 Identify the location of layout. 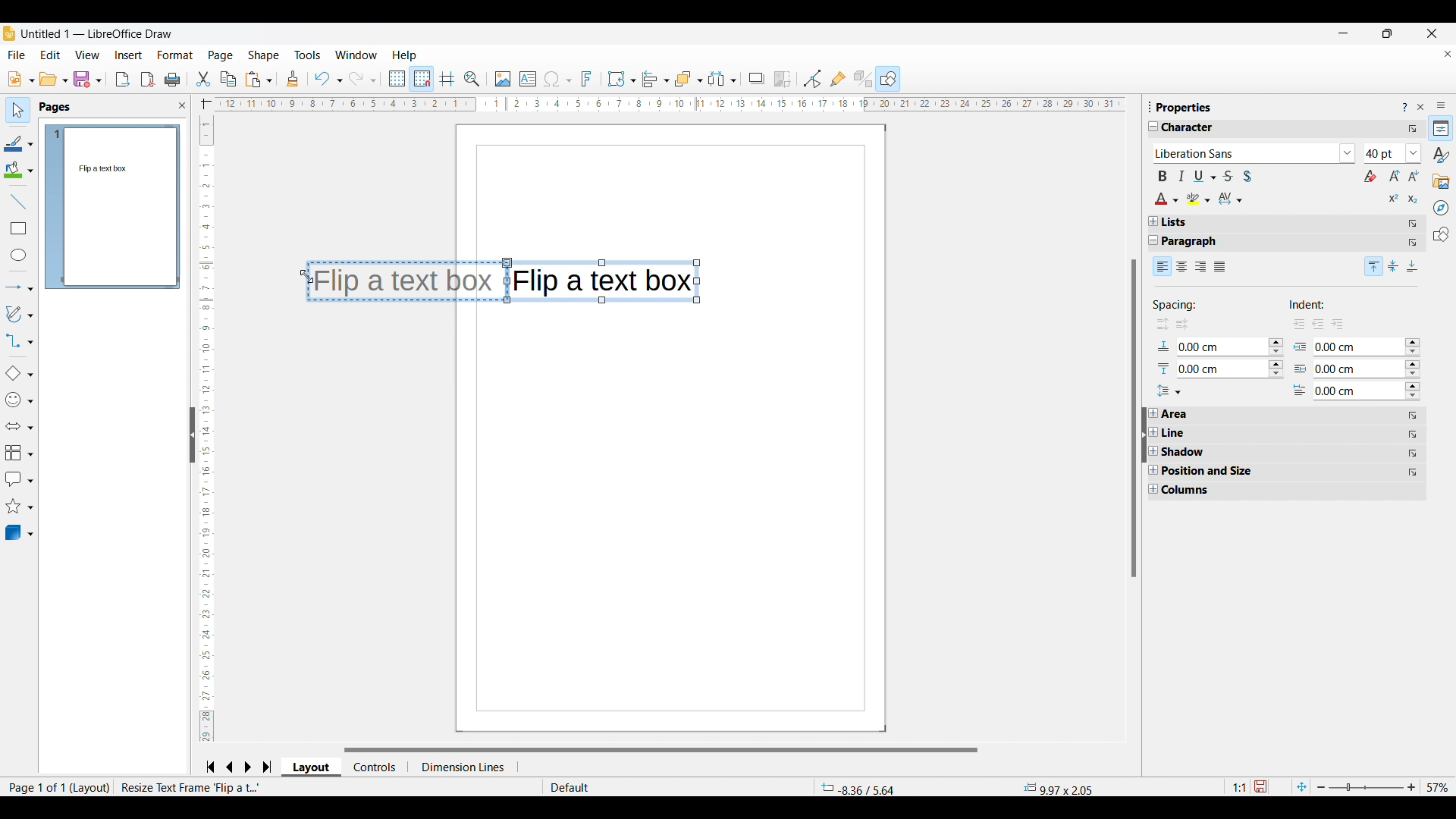
(91, 788).